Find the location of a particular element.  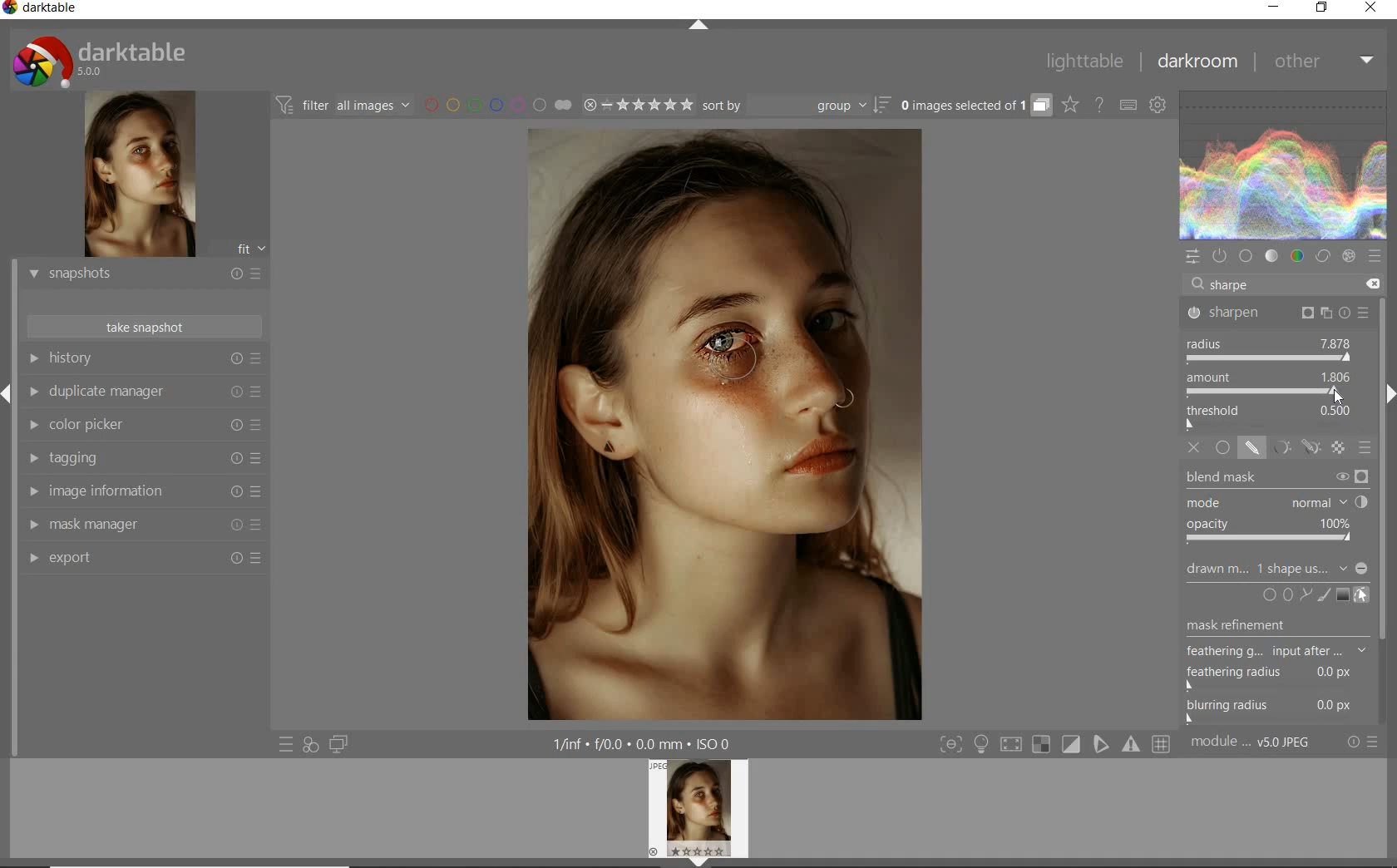

history is located at coordinates (144, 359).